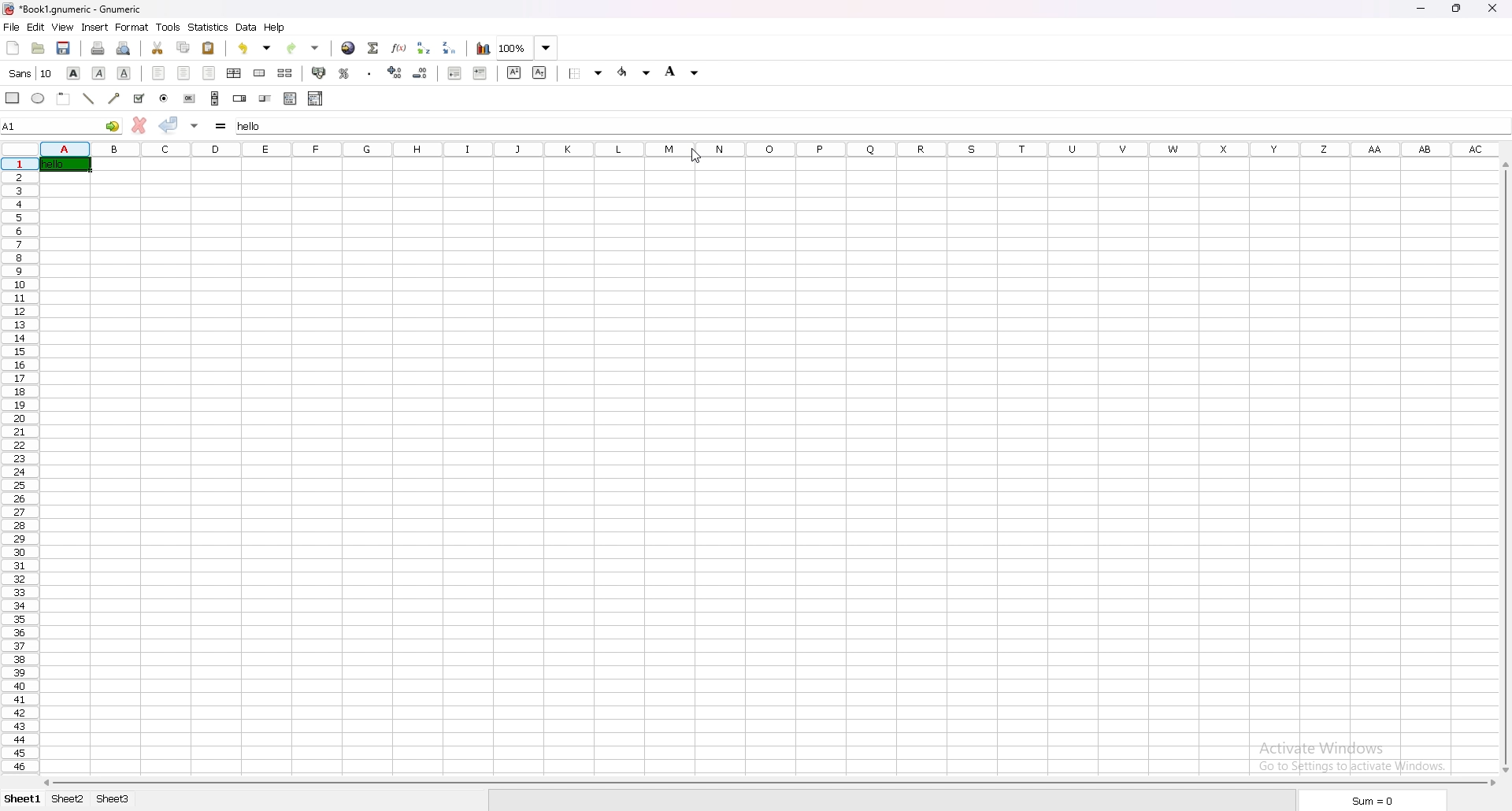  I want to click on accept changes, so click(169, 124).